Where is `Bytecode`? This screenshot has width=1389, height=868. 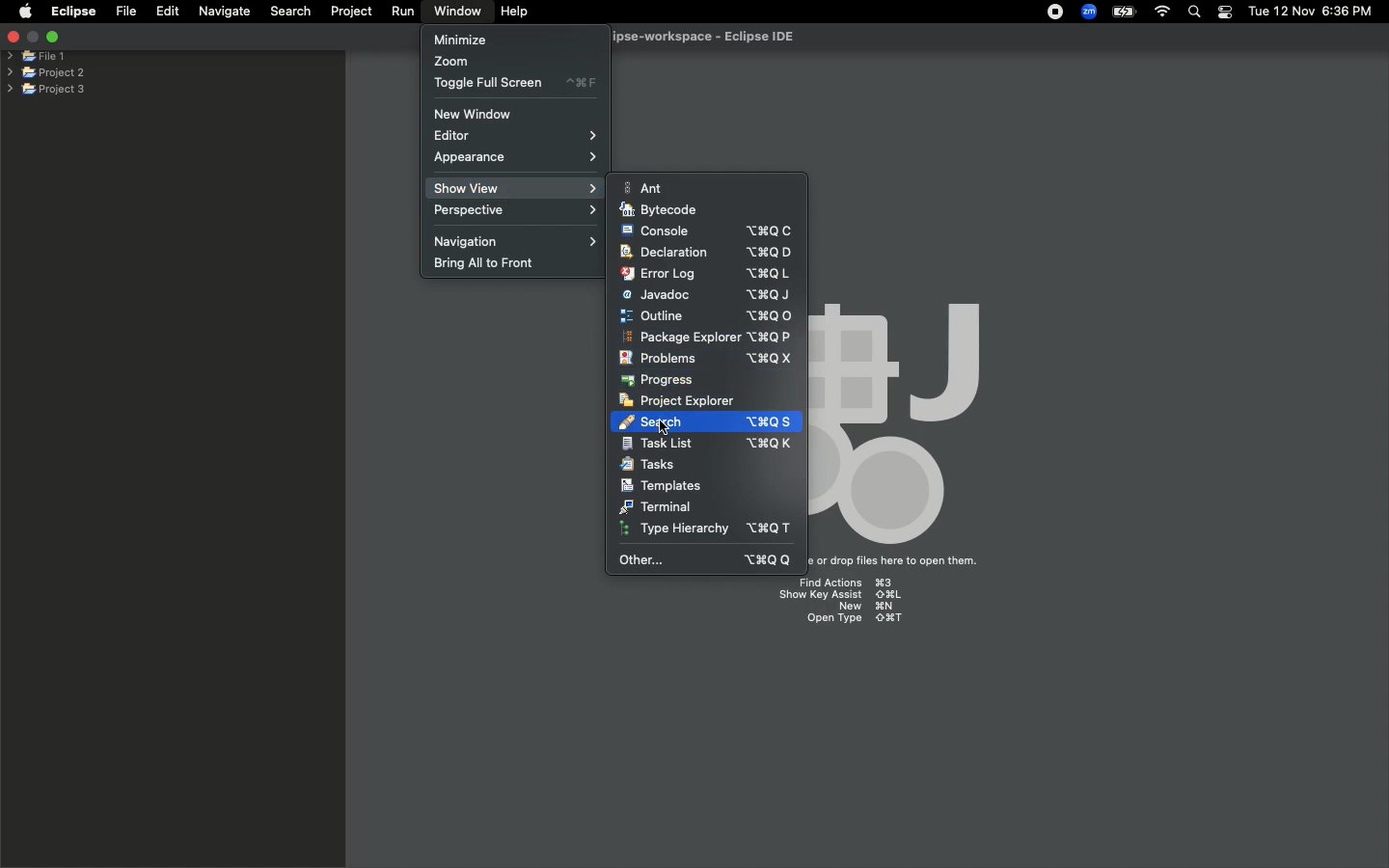
Bytecode is located at coordinates (660, 210).